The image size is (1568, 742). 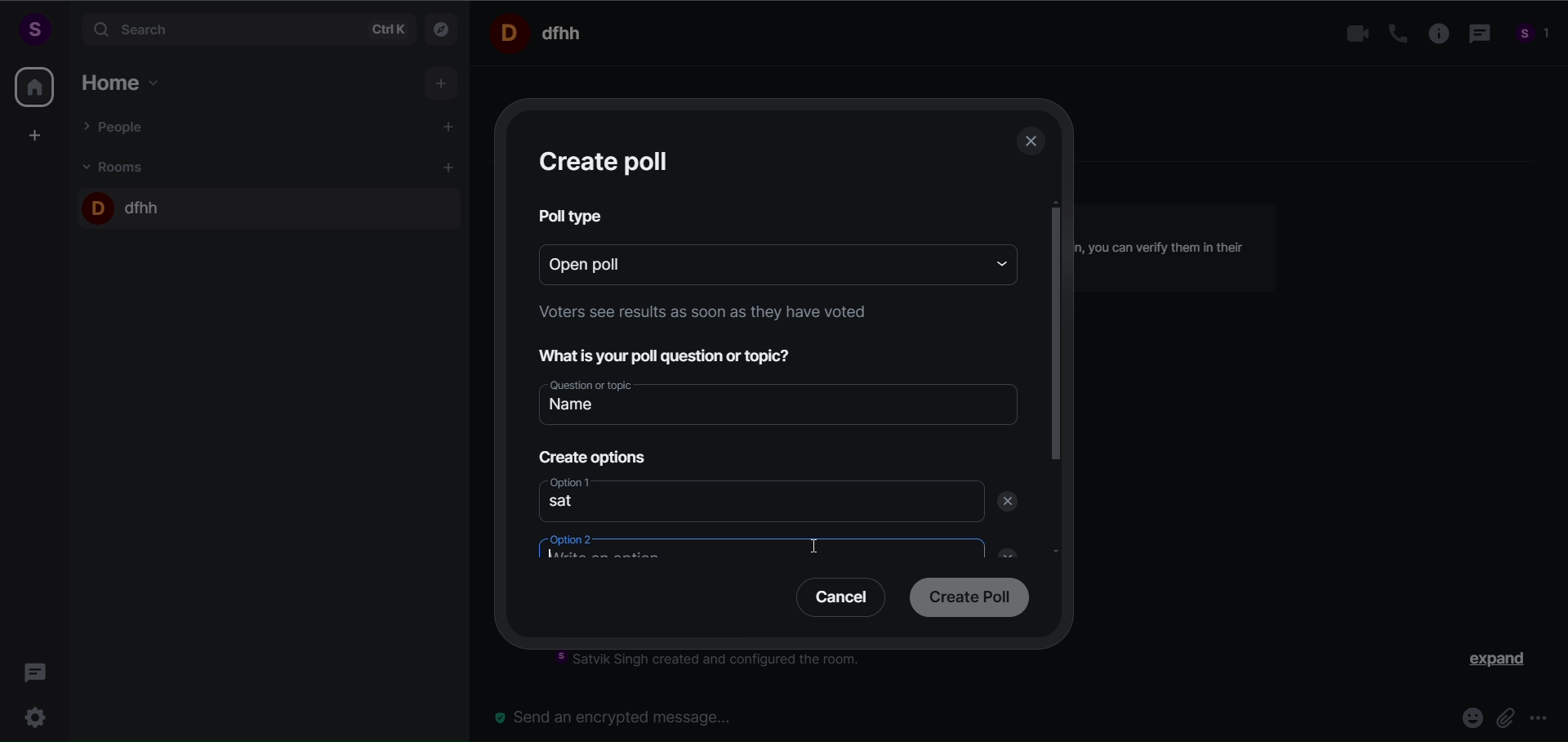 I want to click on people, so click(x=1534, y=36).